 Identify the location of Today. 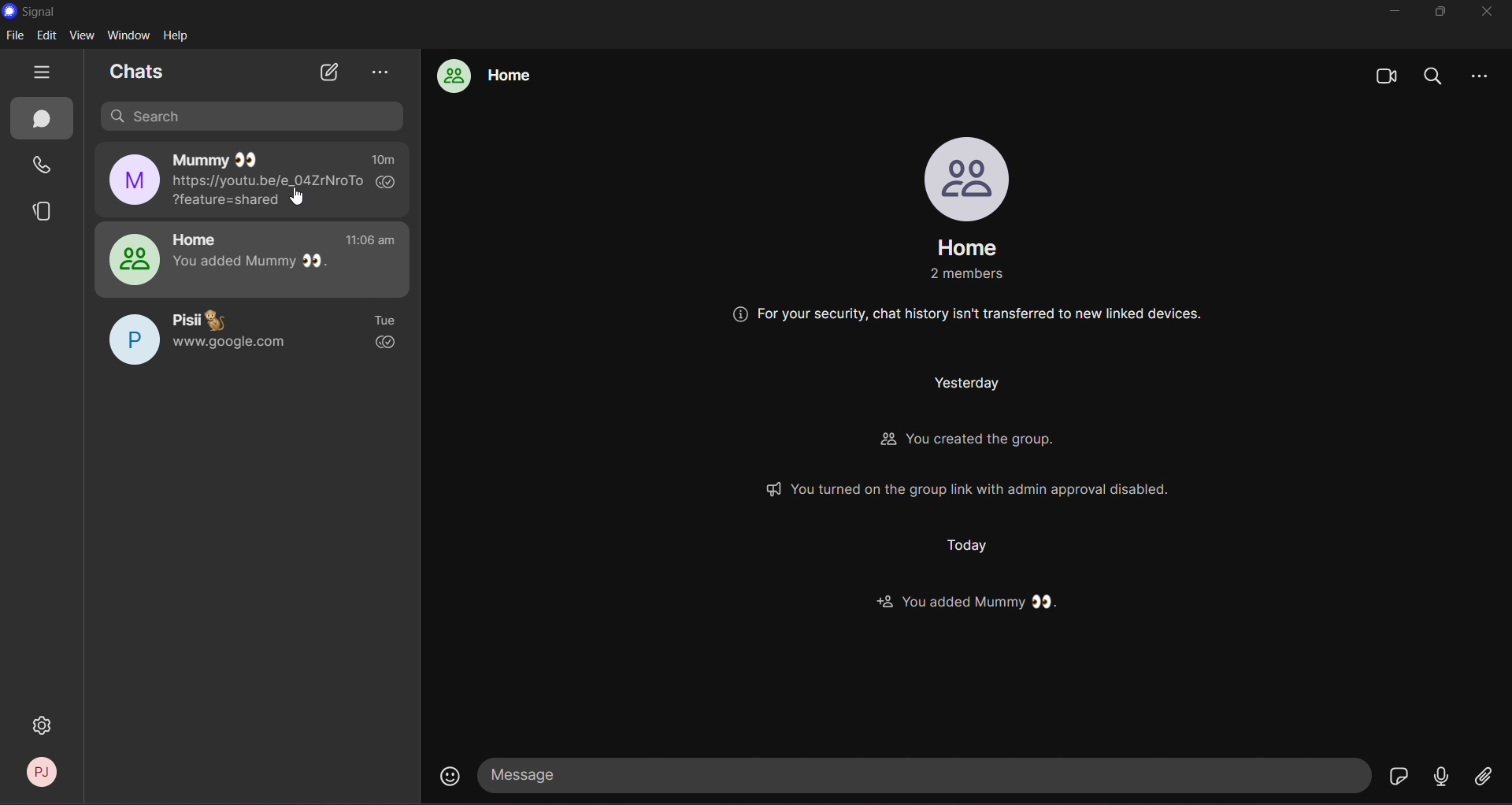
(969, 547).